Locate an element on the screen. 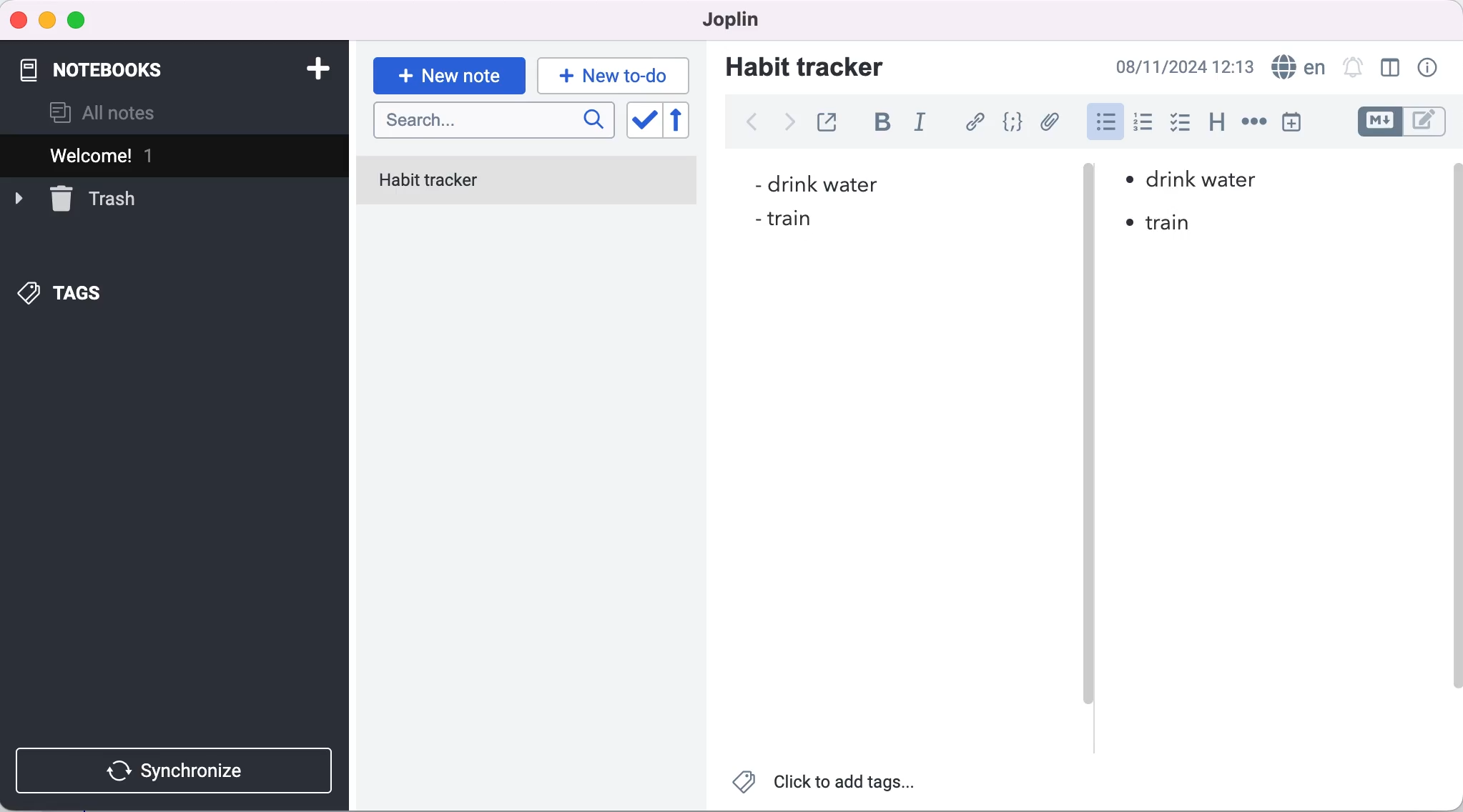 The height and width of the screenshot is (812, 1463). toggle external editing is located at coordinates (831, 120).